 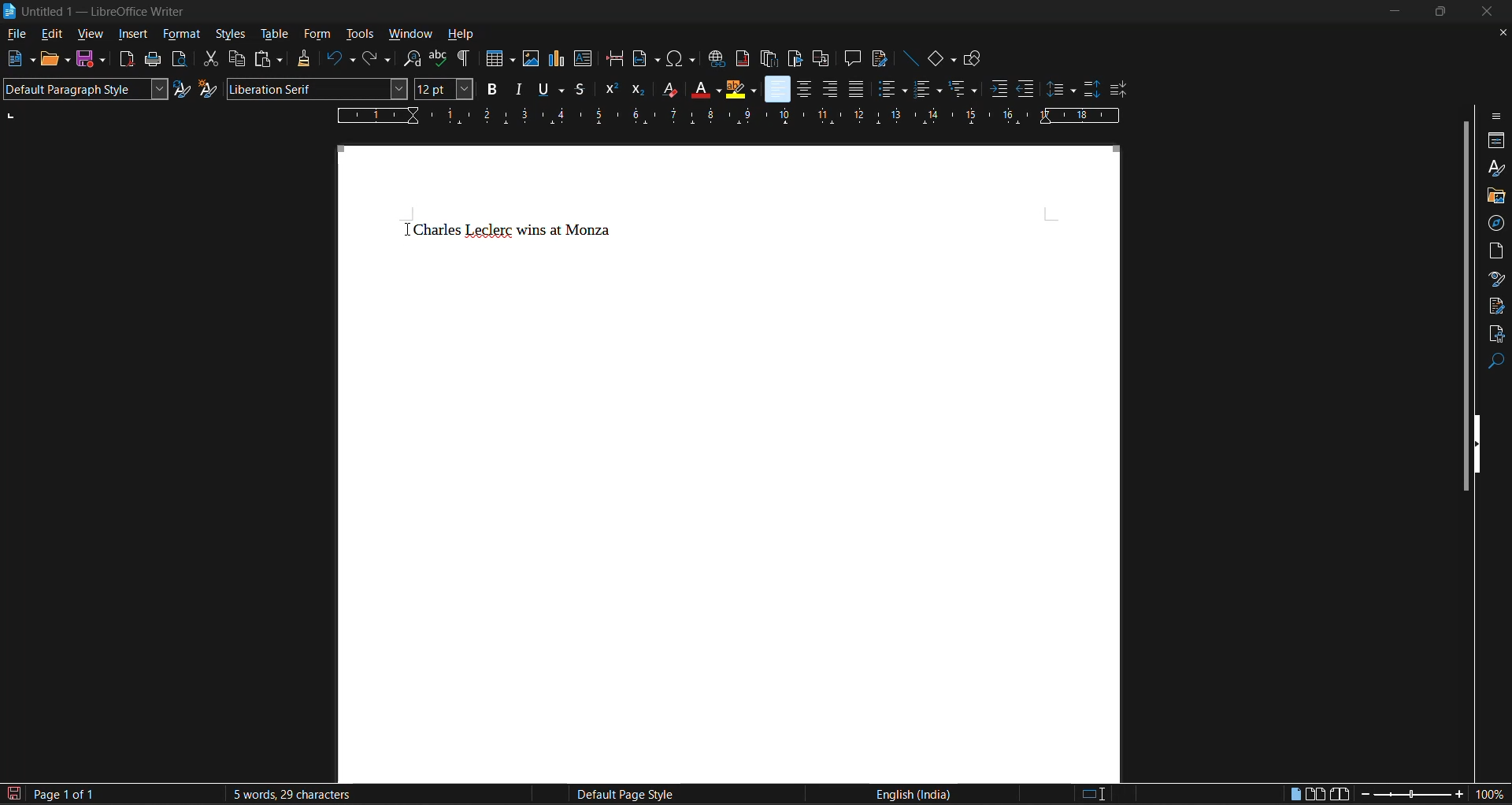 What do you see at coordinates (178, 58) in the screenshot?
I see `toggle print preview` at bounding box center [178, 58].